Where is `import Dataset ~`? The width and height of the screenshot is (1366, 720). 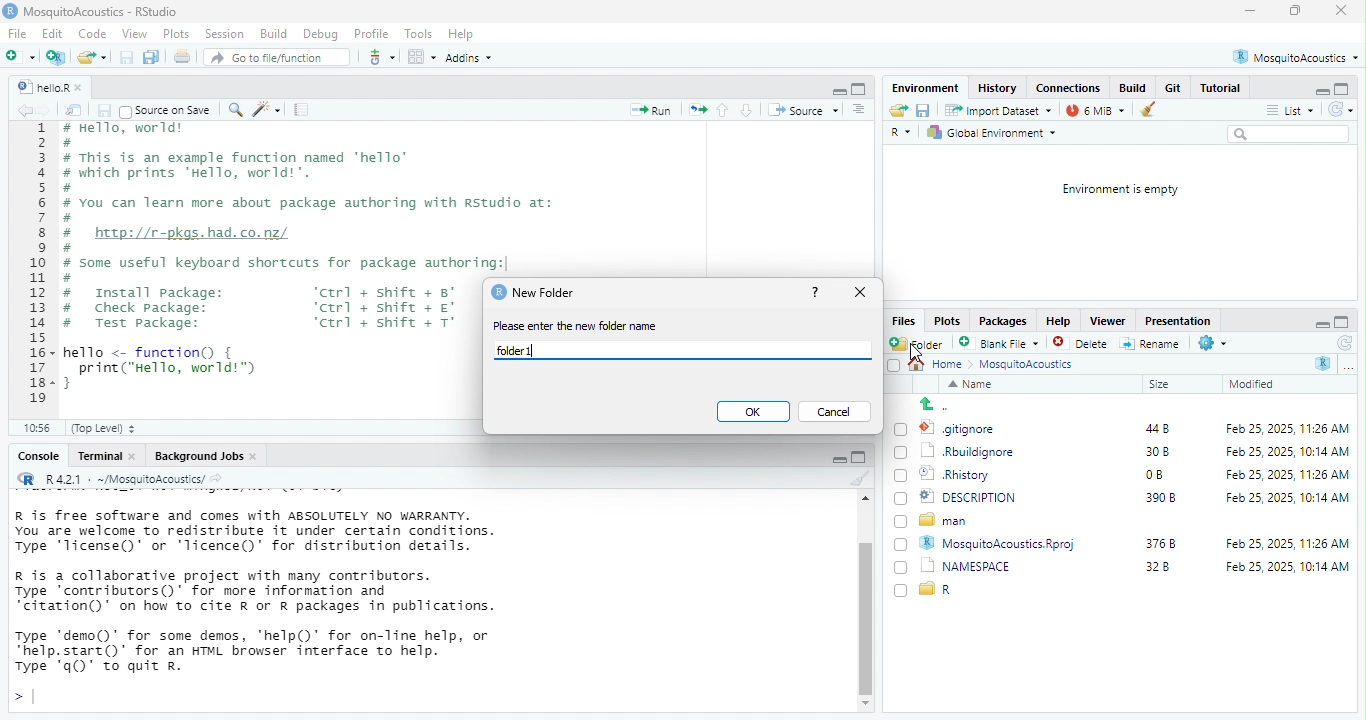 import Dataset ~ is located at coordinates (1002, 110).